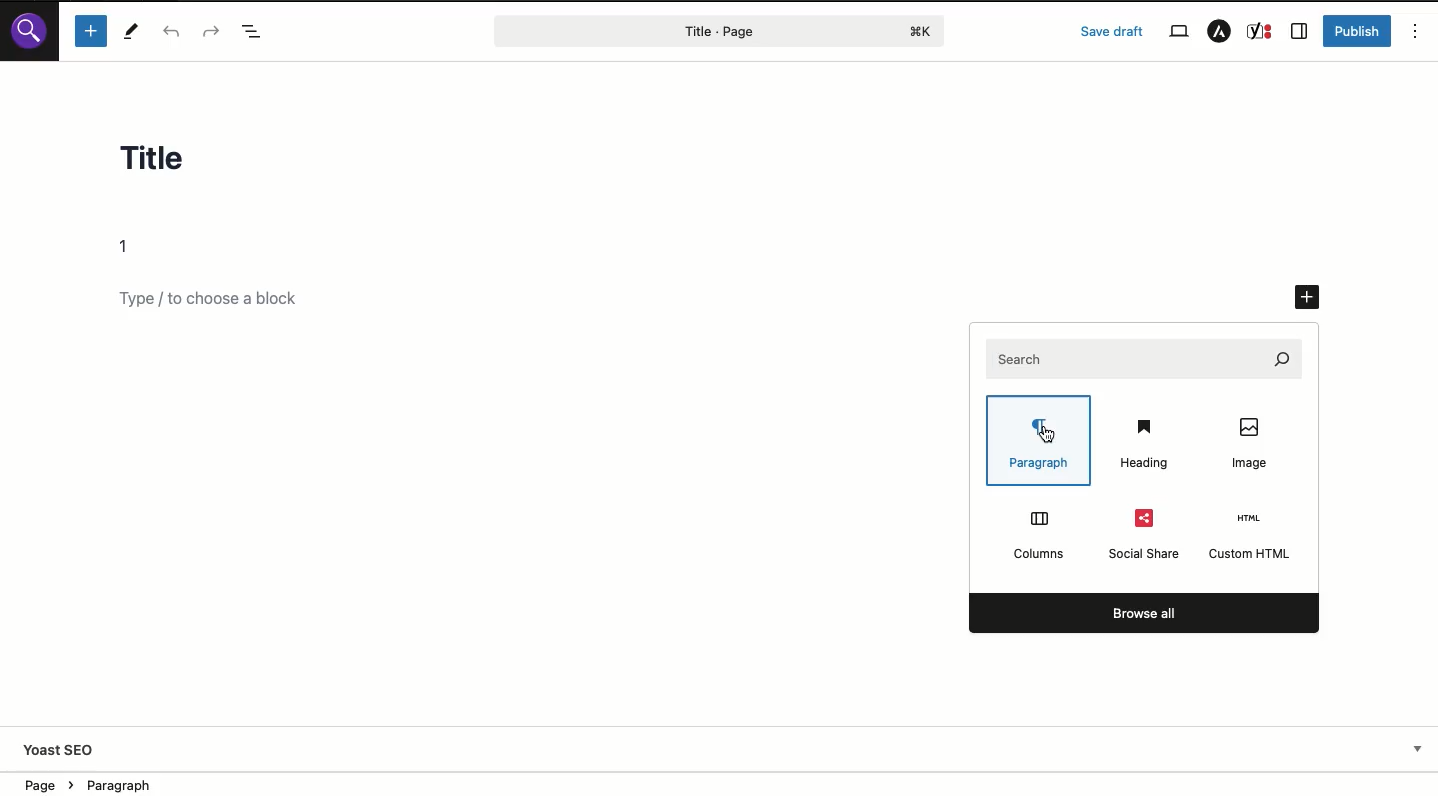 The width and height of the screenshot is (1438, 796). I want to click on Redo, so click(210, 30).